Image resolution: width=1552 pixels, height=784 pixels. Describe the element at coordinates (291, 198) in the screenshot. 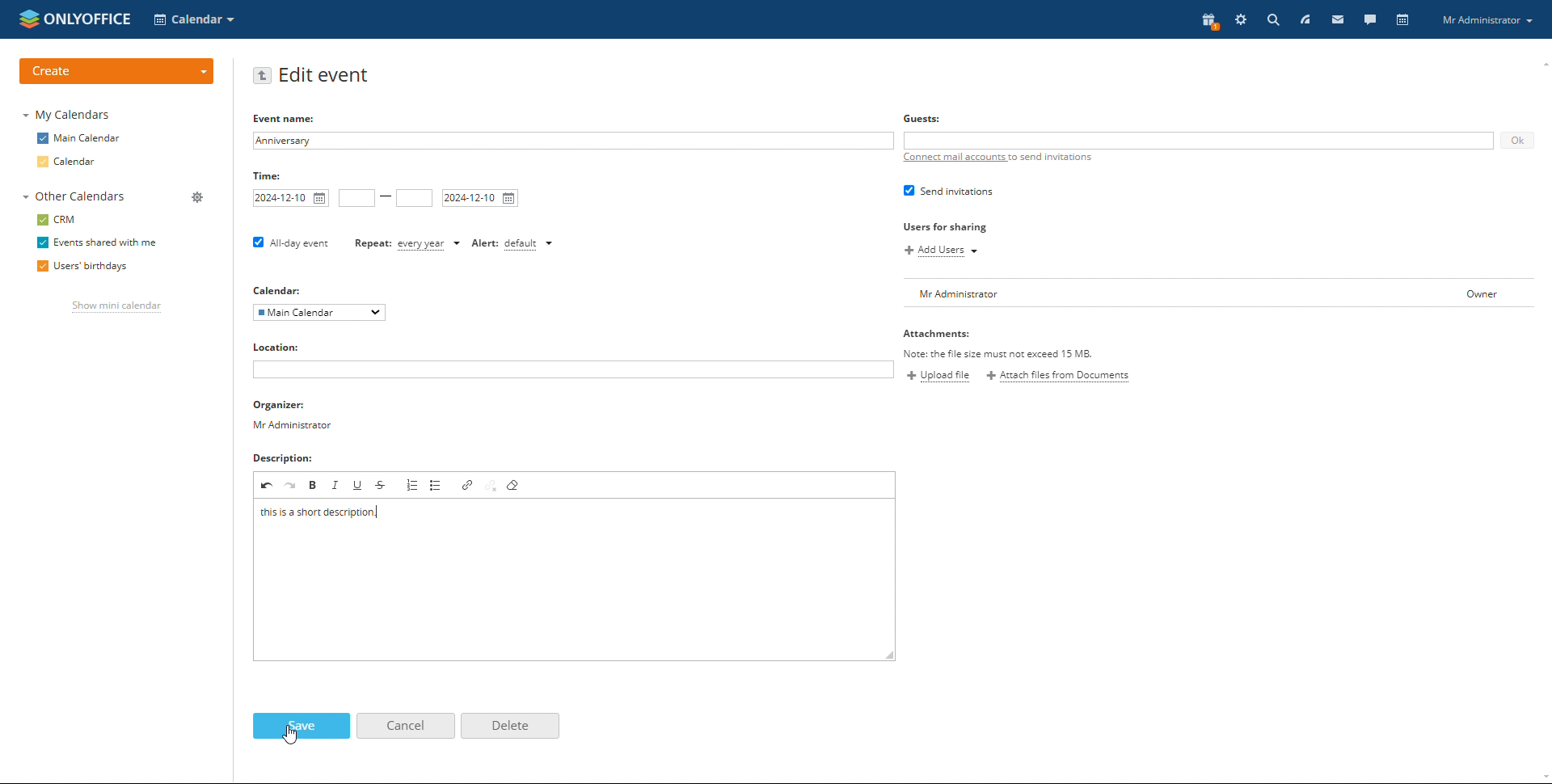

I see `start date` at that location.